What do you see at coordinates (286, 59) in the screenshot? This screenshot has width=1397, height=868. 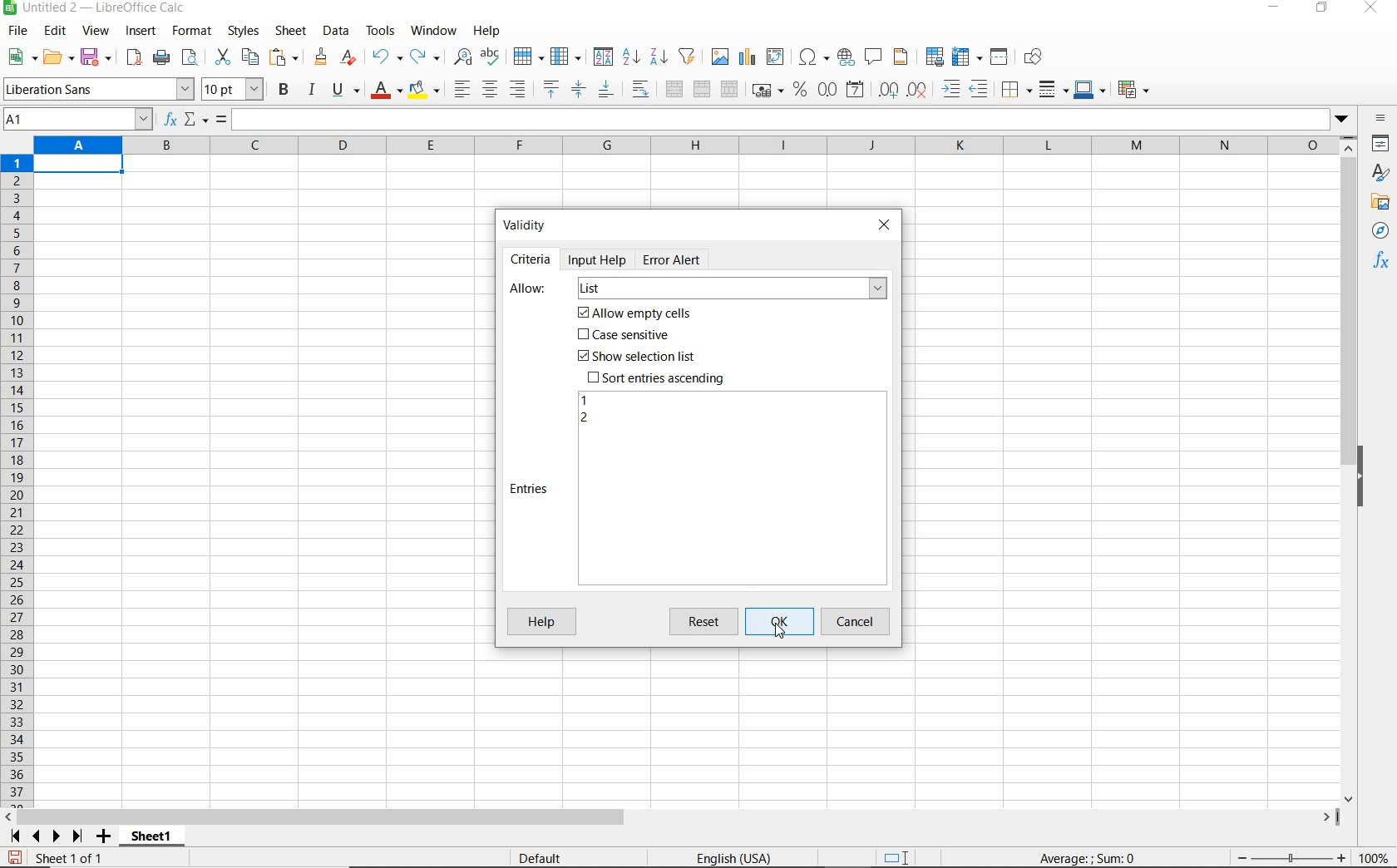 I see `paste` at bounding box center [286, 59].